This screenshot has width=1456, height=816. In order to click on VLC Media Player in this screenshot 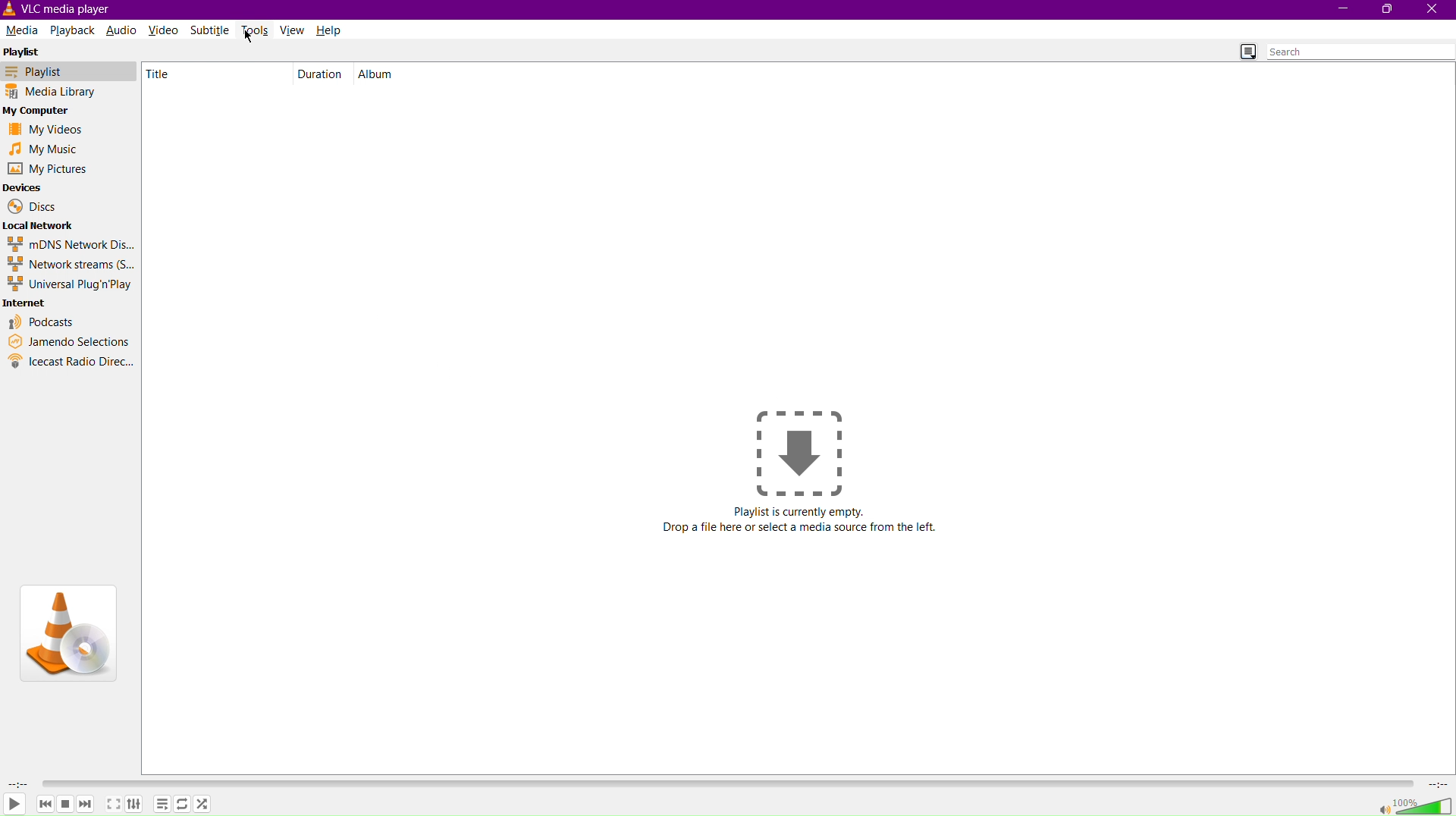, I will do `click(58, 9)`.